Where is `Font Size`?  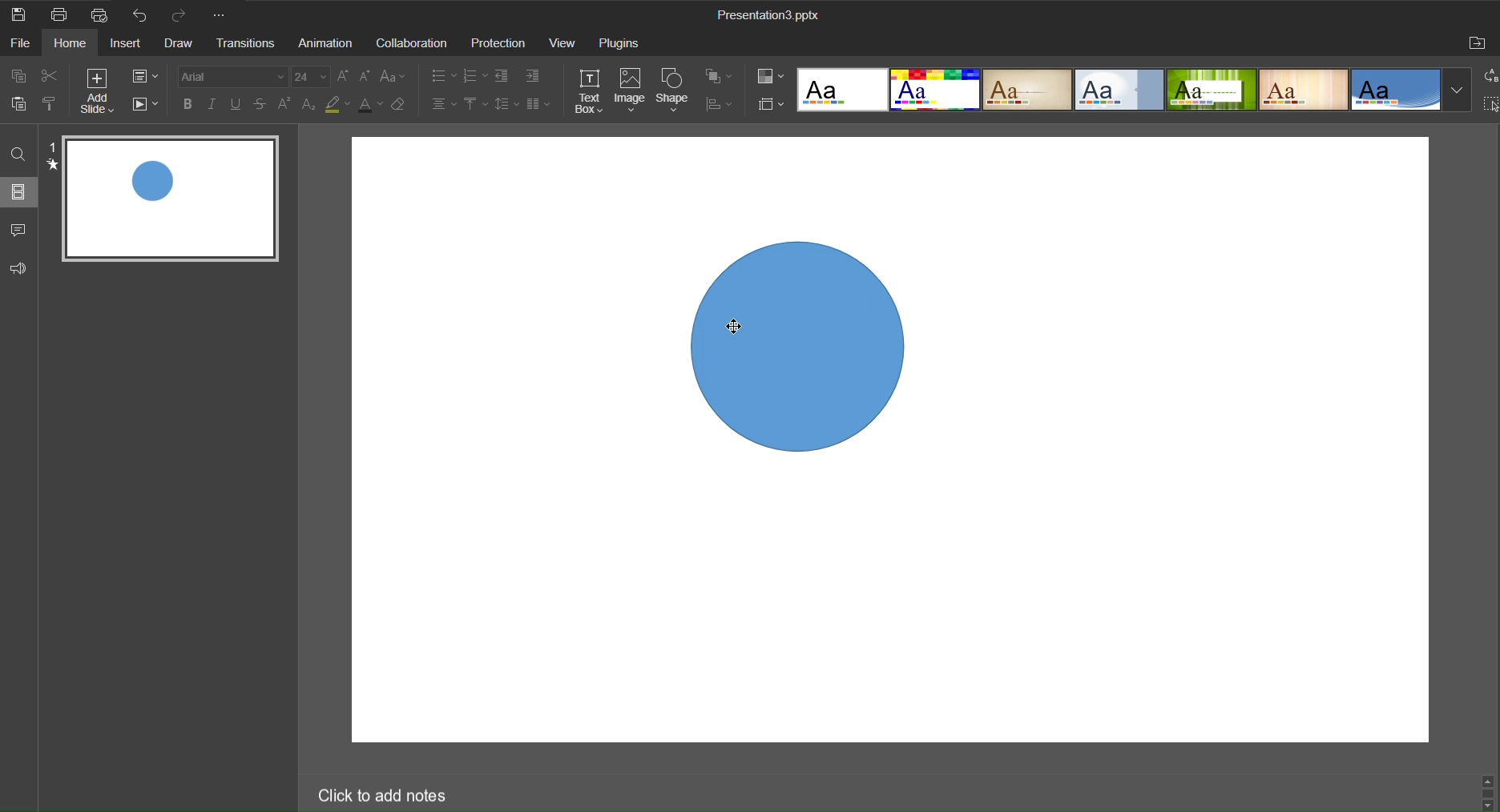
Font Size is located at coordinates (312, 79).